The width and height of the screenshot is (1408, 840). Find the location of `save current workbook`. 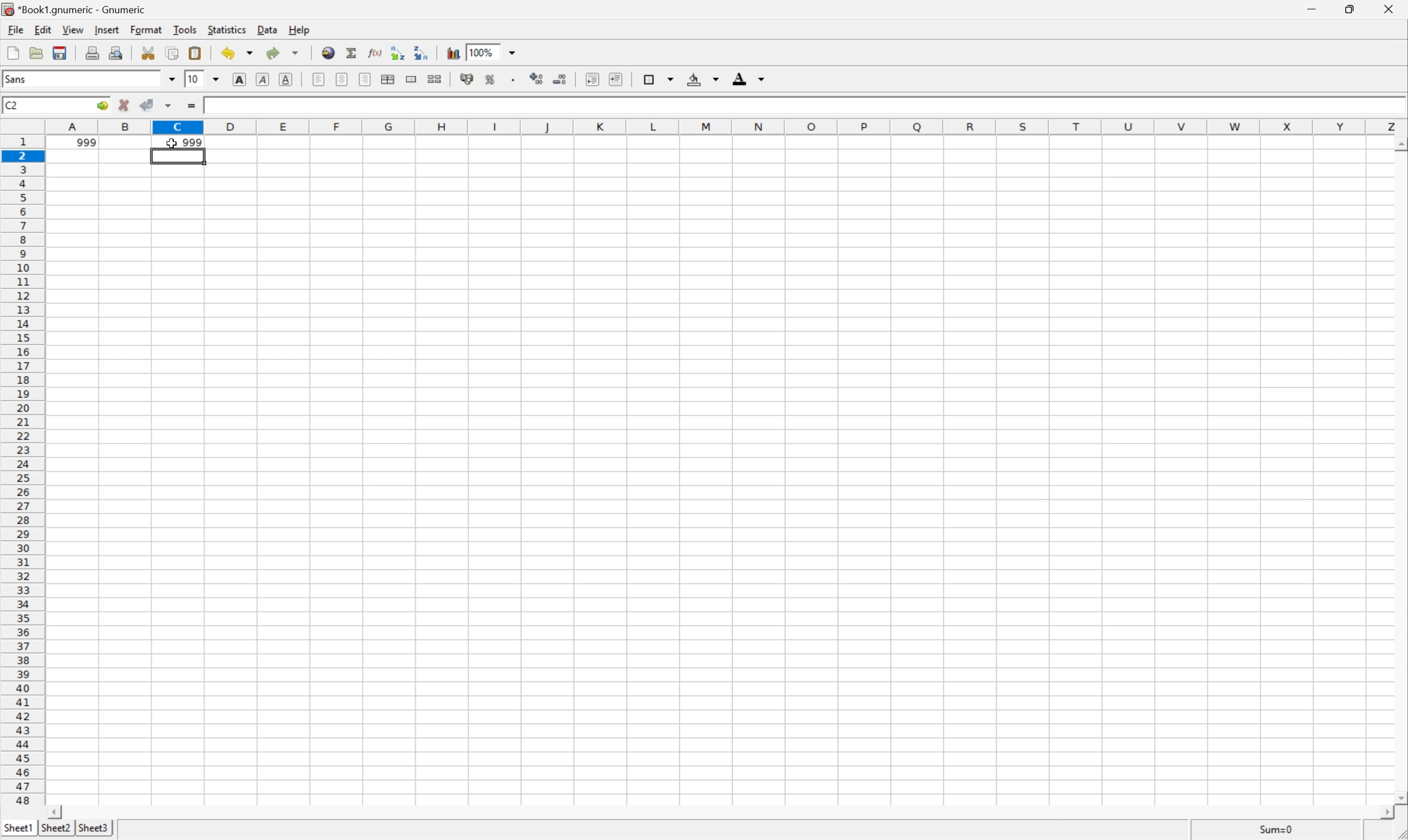

save current workbook is located at coordinates (60, 52).